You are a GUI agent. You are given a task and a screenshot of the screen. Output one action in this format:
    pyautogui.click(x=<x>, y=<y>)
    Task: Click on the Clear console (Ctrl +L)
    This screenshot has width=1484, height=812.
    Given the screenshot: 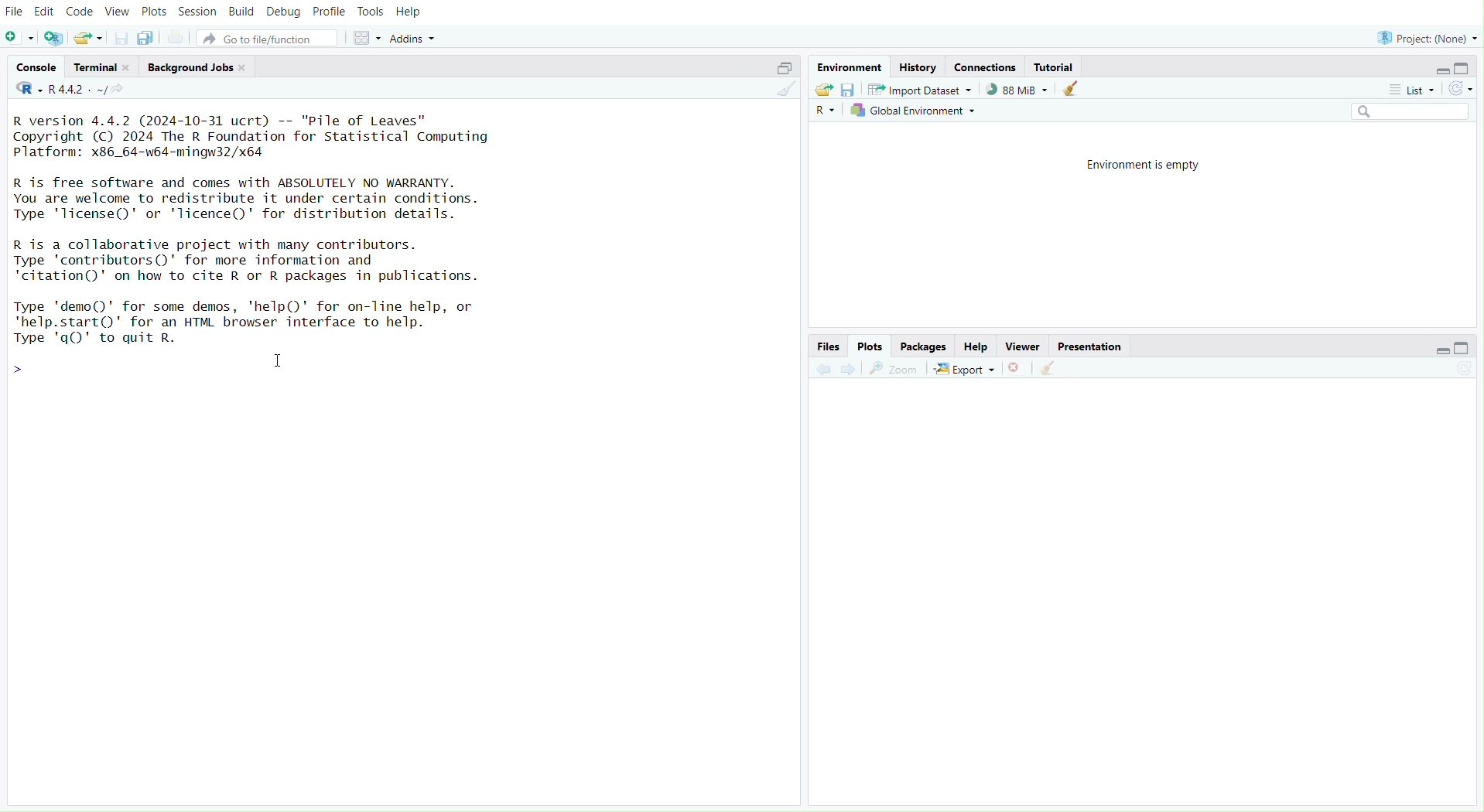 What is the action you would take?
    pyautogui.click(x=1054, y=367)
    